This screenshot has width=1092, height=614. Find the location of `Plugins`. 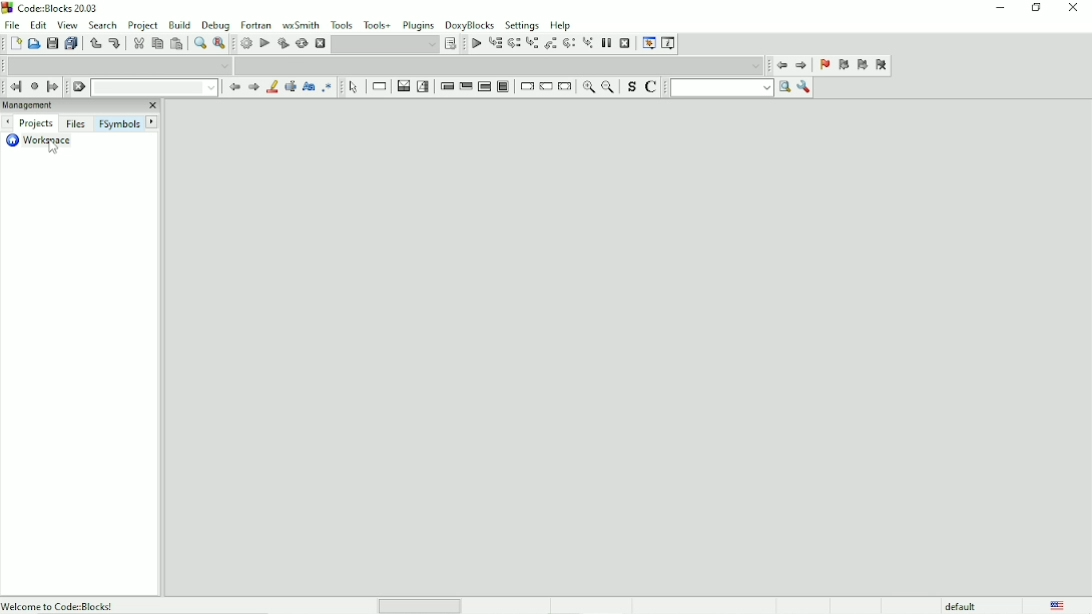

Plugins is located at coordinates (419, 24).